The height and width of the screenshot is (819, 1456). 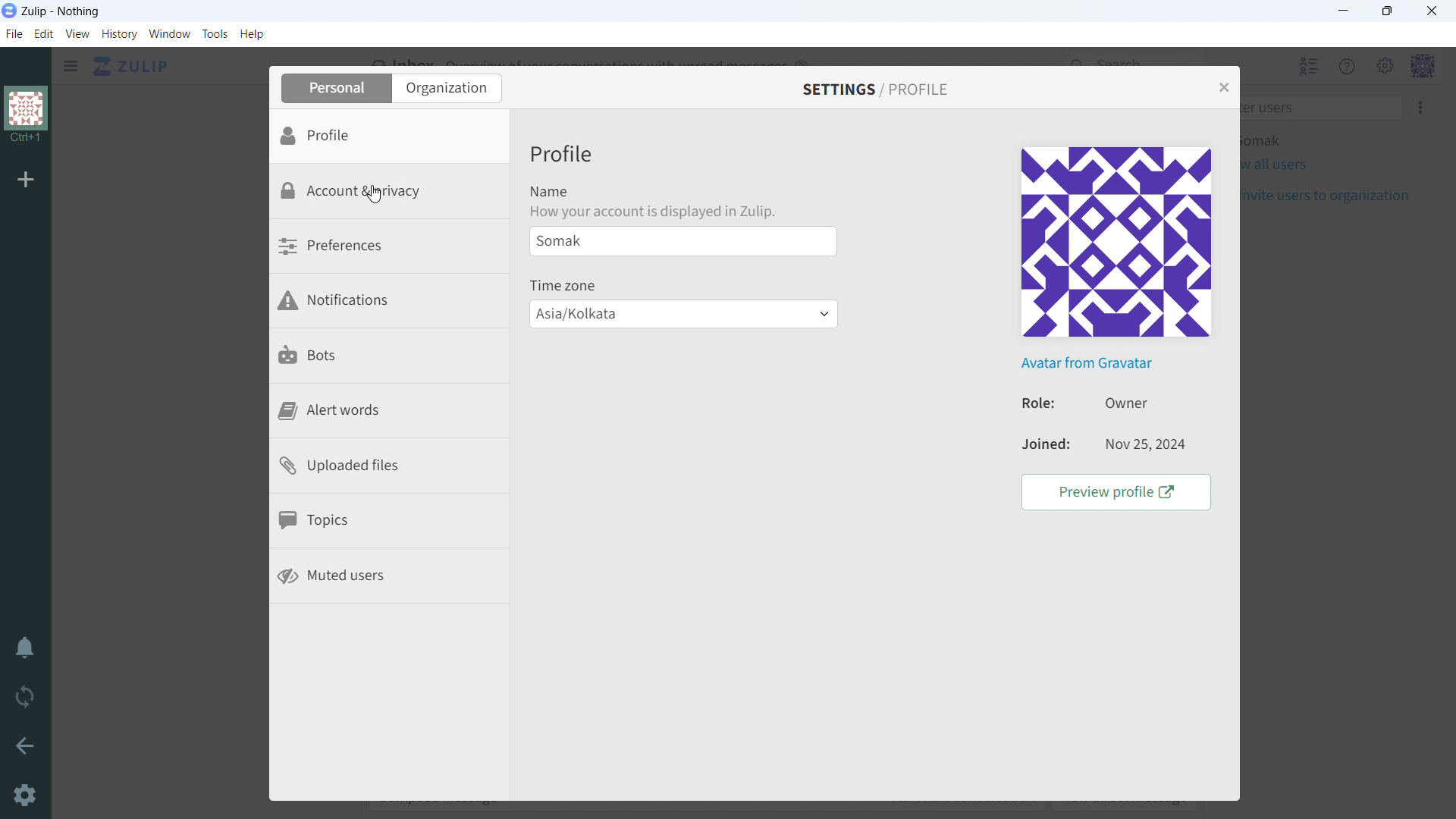 What do you see at coordinates (1031, 425) in the screenshot?
I see `Role: Owner Joined: Nov 25,2024` at bounding box center [1031, 425].